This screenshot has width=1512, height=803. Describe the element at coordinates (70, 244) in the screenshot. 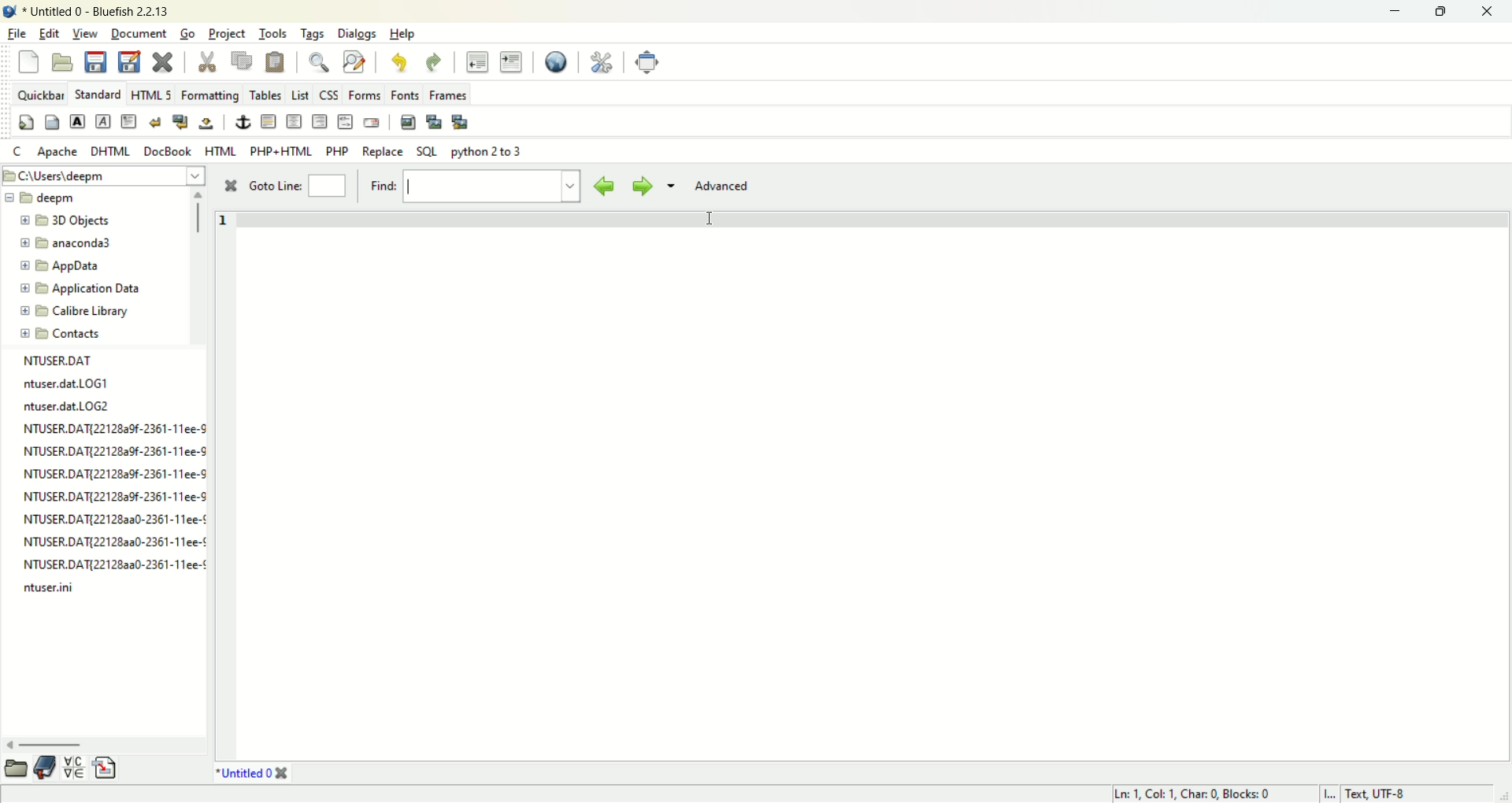

I see `anaconda` at that location.